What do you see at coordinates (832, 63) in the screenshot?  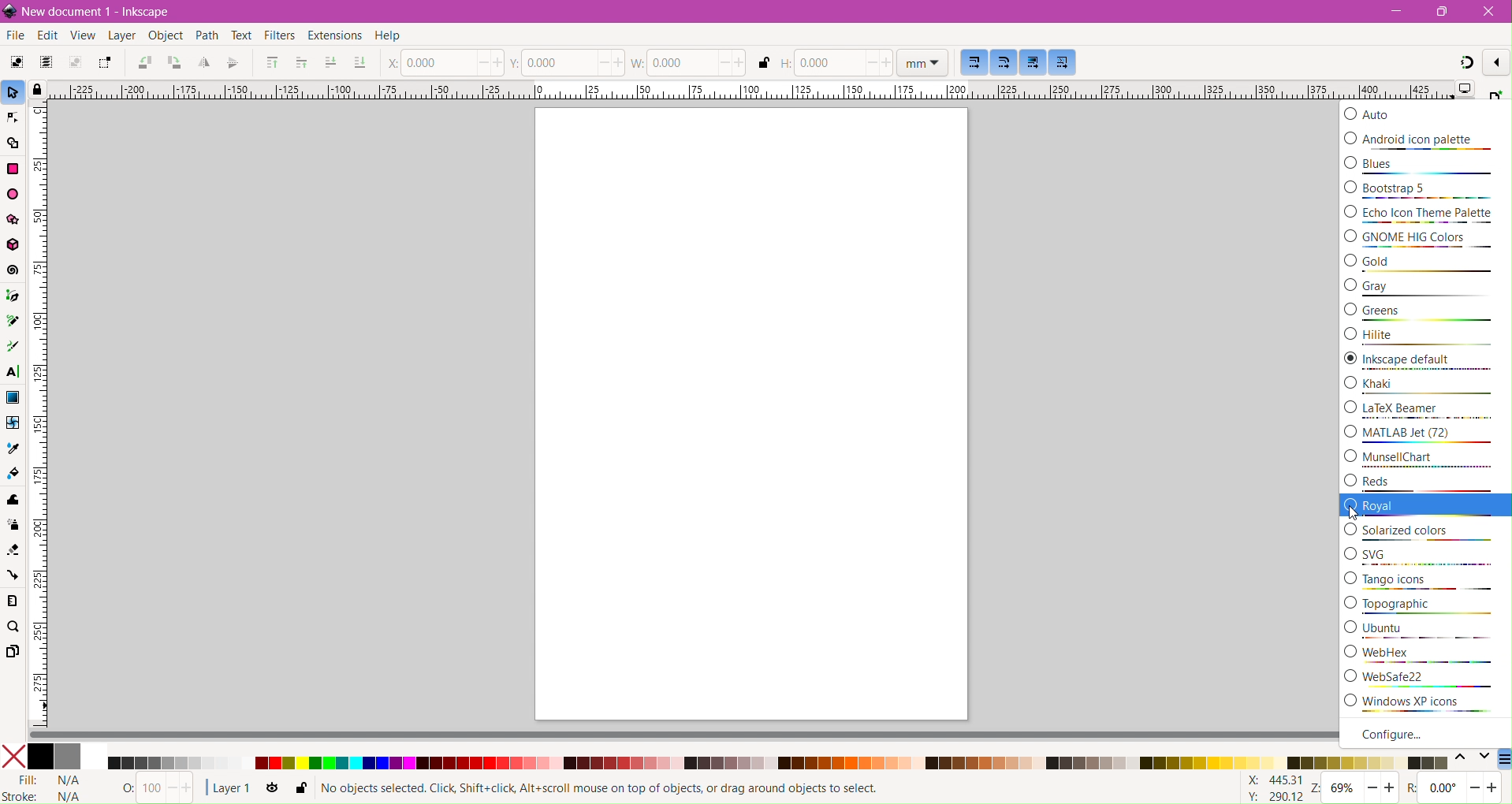 I see `Set Height of the document` at bounding box center [832, 63].